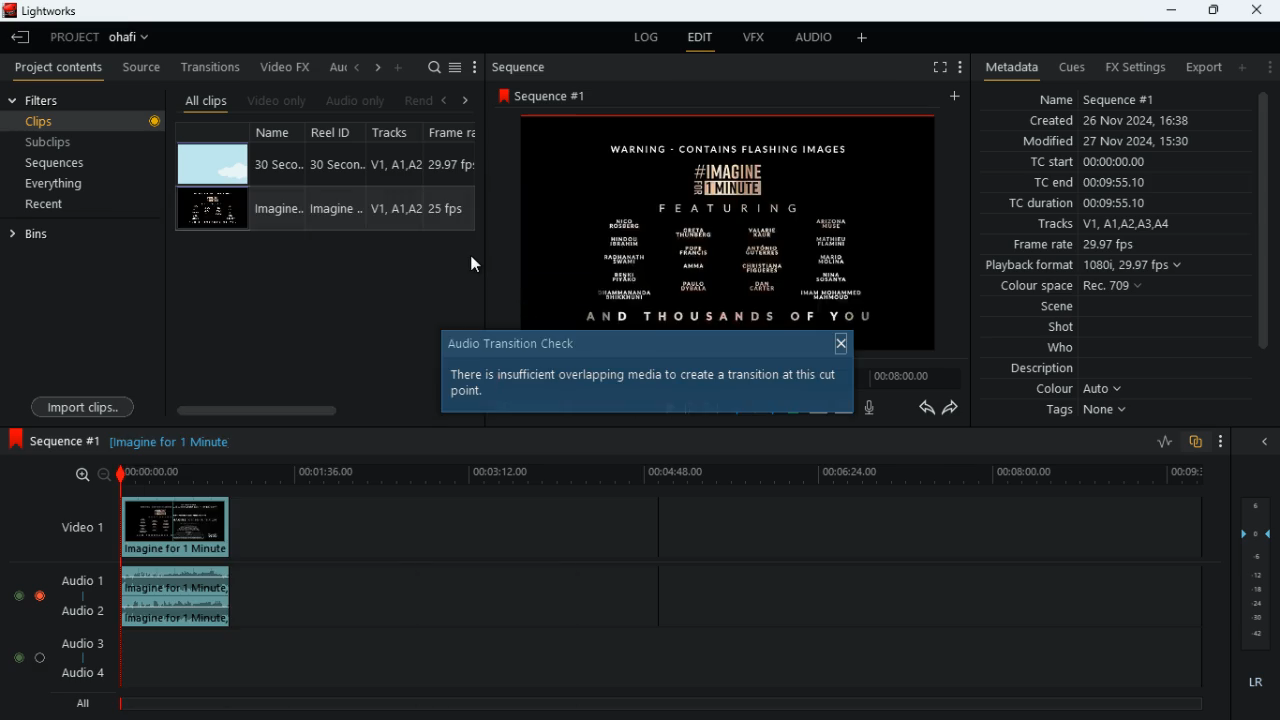 This screenshot has height=720, width=1280. I want to click on menu, so click(475, 68).